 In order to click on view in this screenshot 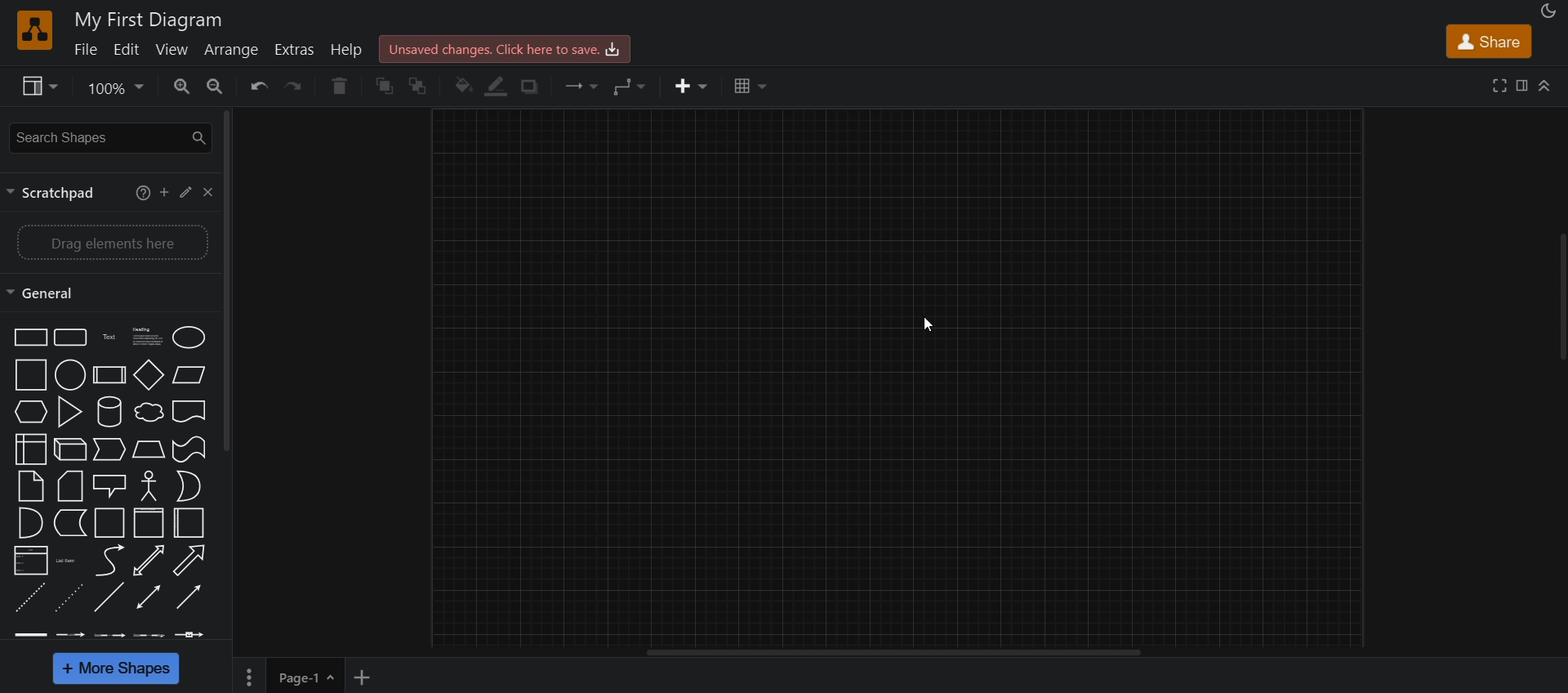, I will do `click(35, 86)`.